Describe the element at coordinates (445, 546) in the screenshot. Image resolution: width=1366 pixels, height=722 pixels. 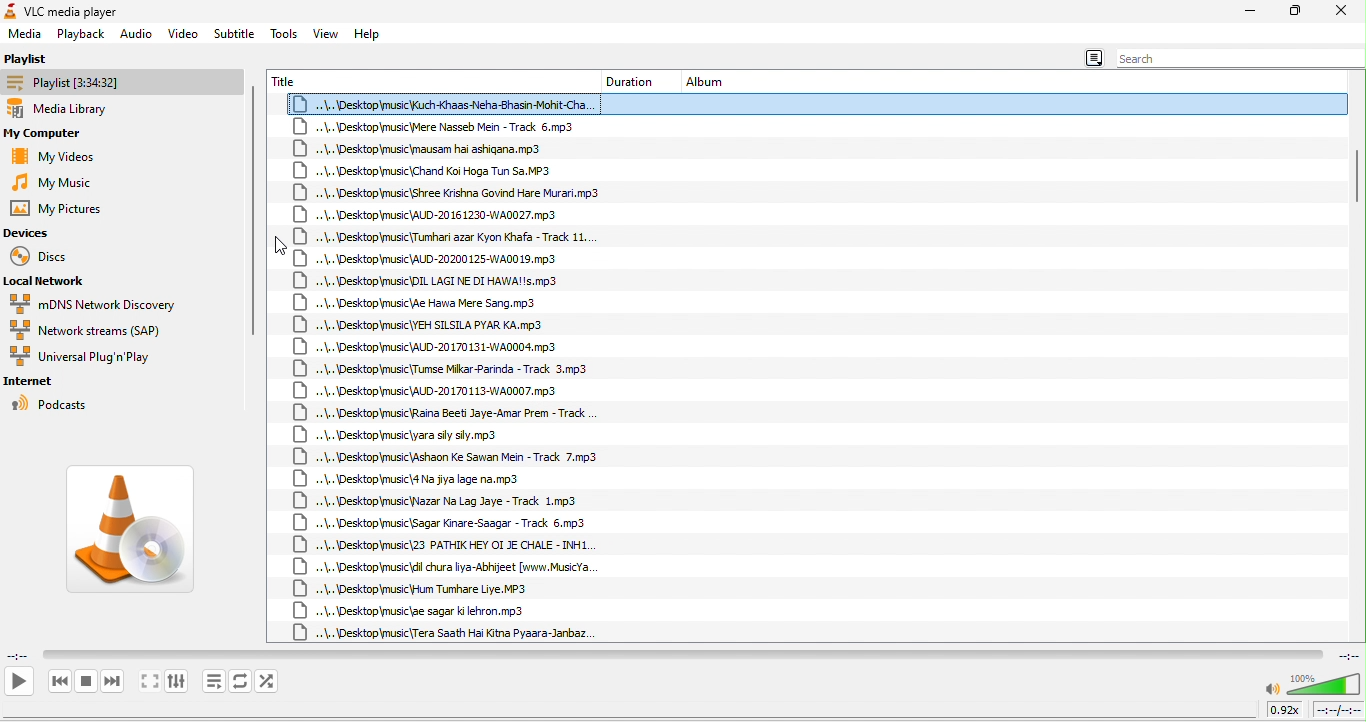
I see `..\..\Desktop\music\23 PATHIK HEY OI JE CHALE - INH1.` at that location.